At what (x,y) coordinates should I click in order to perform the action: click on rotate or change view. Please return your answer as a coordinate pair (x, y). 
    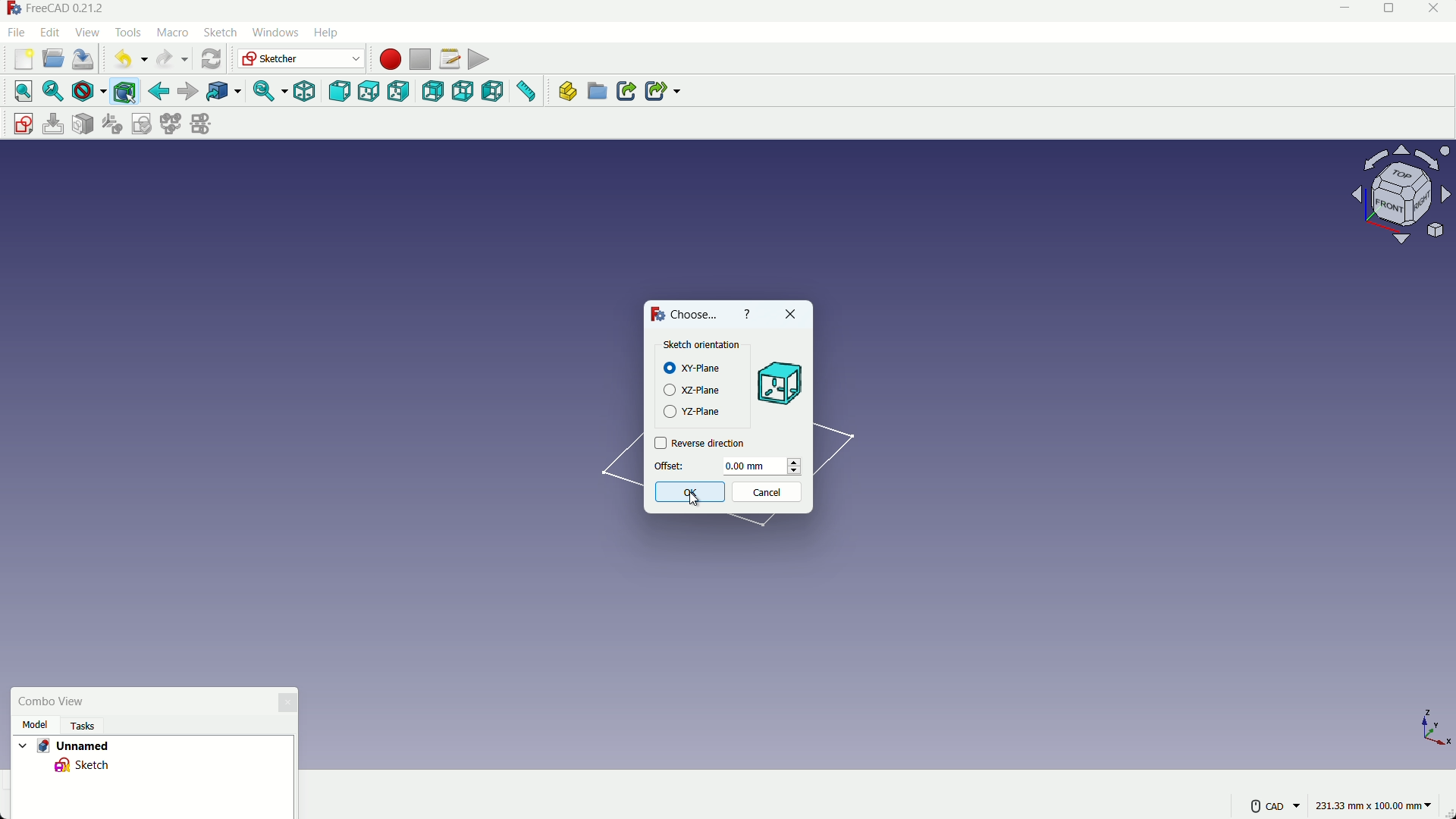
    Looking at the image, I should click on (1403, 193).